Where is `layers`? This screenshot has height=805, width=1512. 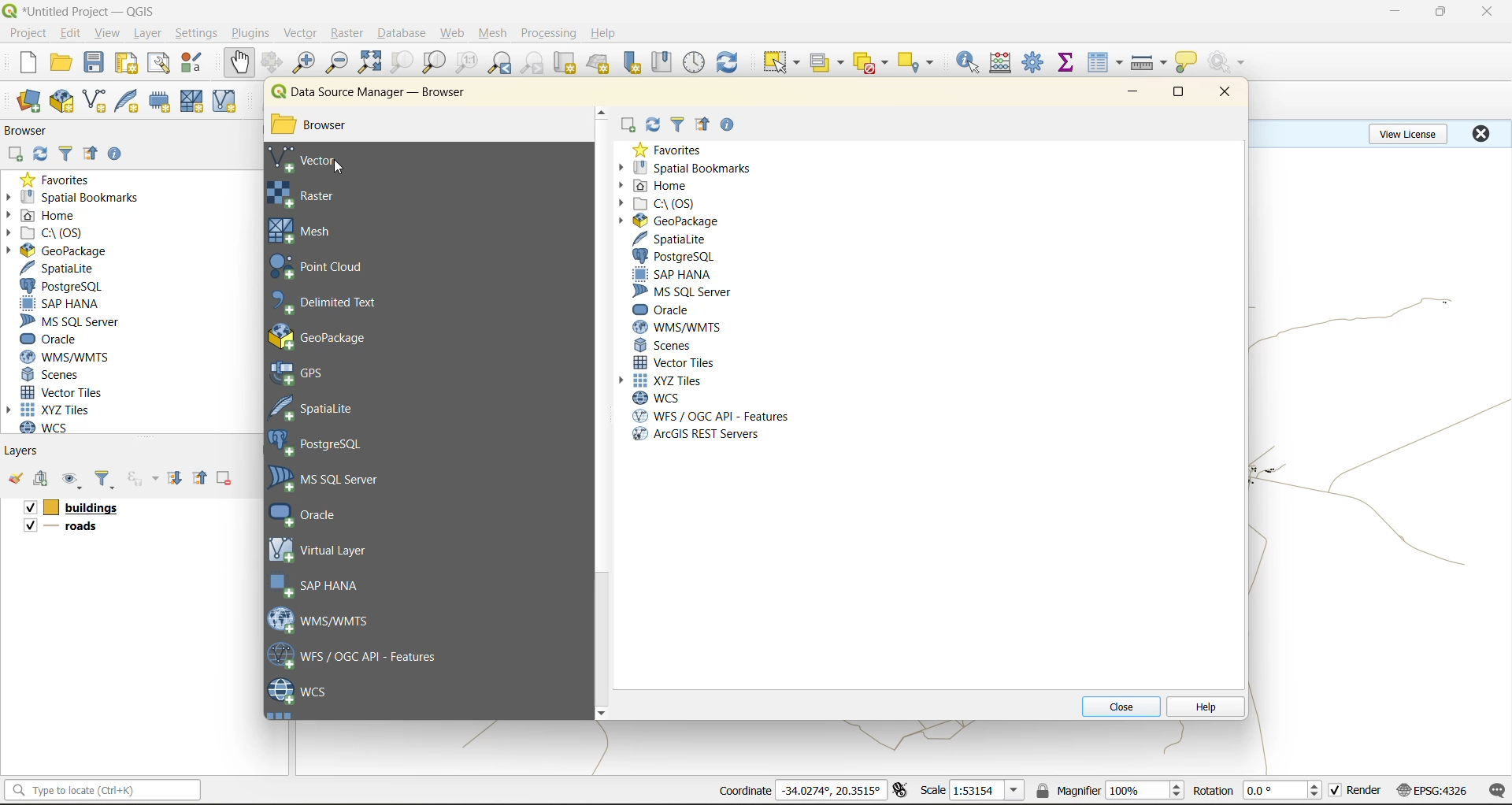
layers is located at coordinates (73, 529).